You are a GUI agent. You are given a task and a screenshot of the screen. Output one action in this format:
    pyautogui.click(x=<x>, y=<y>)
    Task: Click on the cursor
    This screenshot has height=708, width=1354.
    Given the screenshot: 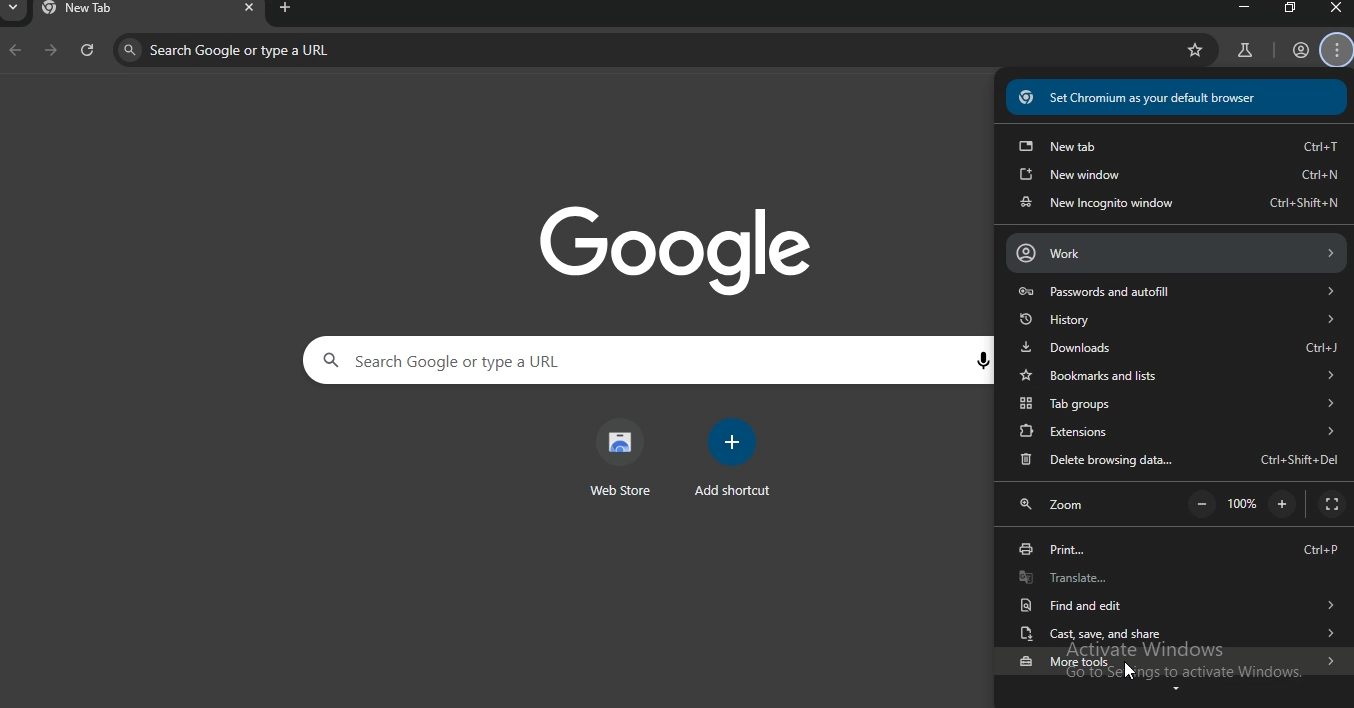 What is the action you would take?
    pyautogui.click(x=1131, y=676)
    